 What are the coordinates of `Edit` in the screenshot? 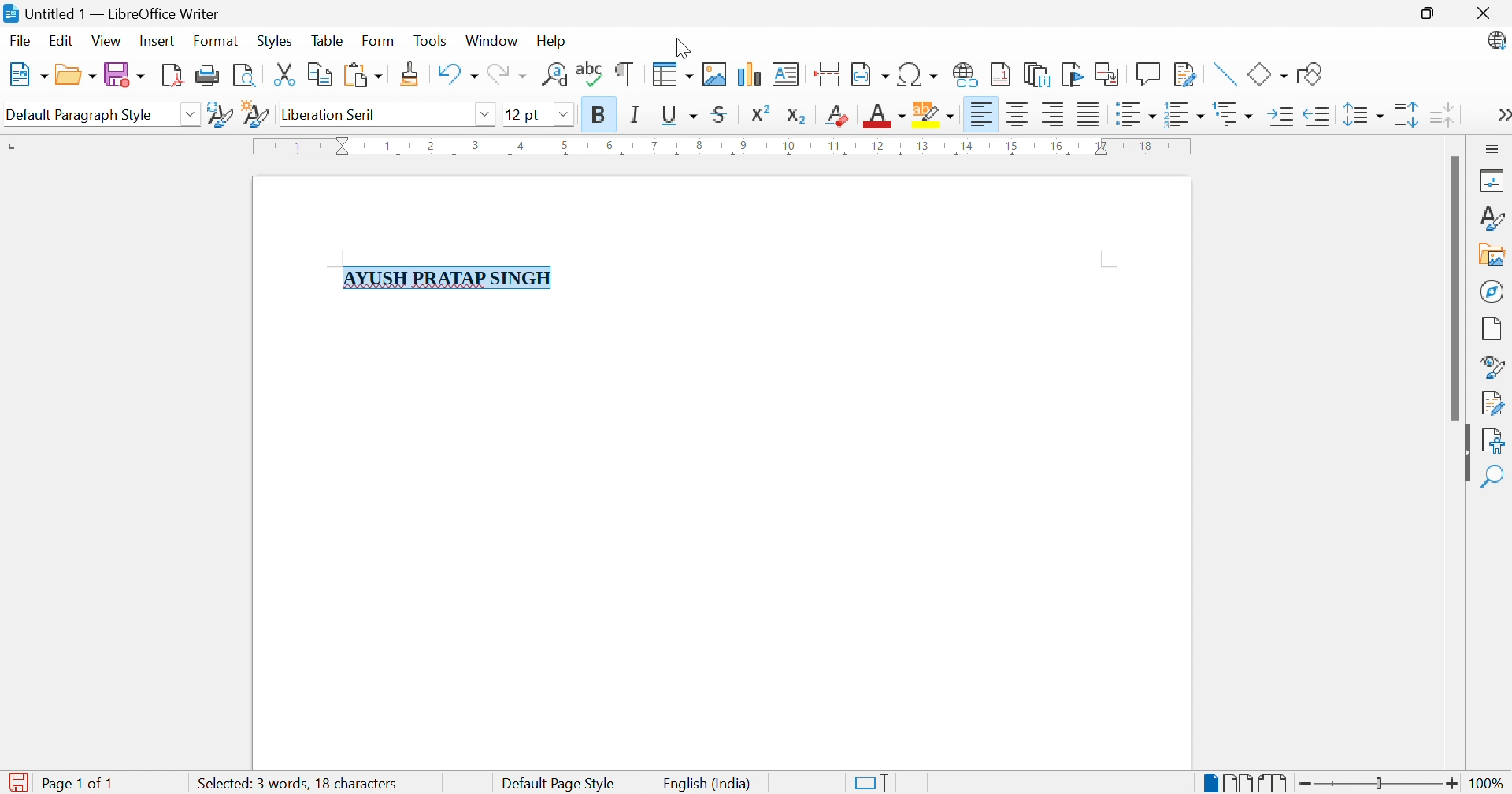 It's located at (62, 40).